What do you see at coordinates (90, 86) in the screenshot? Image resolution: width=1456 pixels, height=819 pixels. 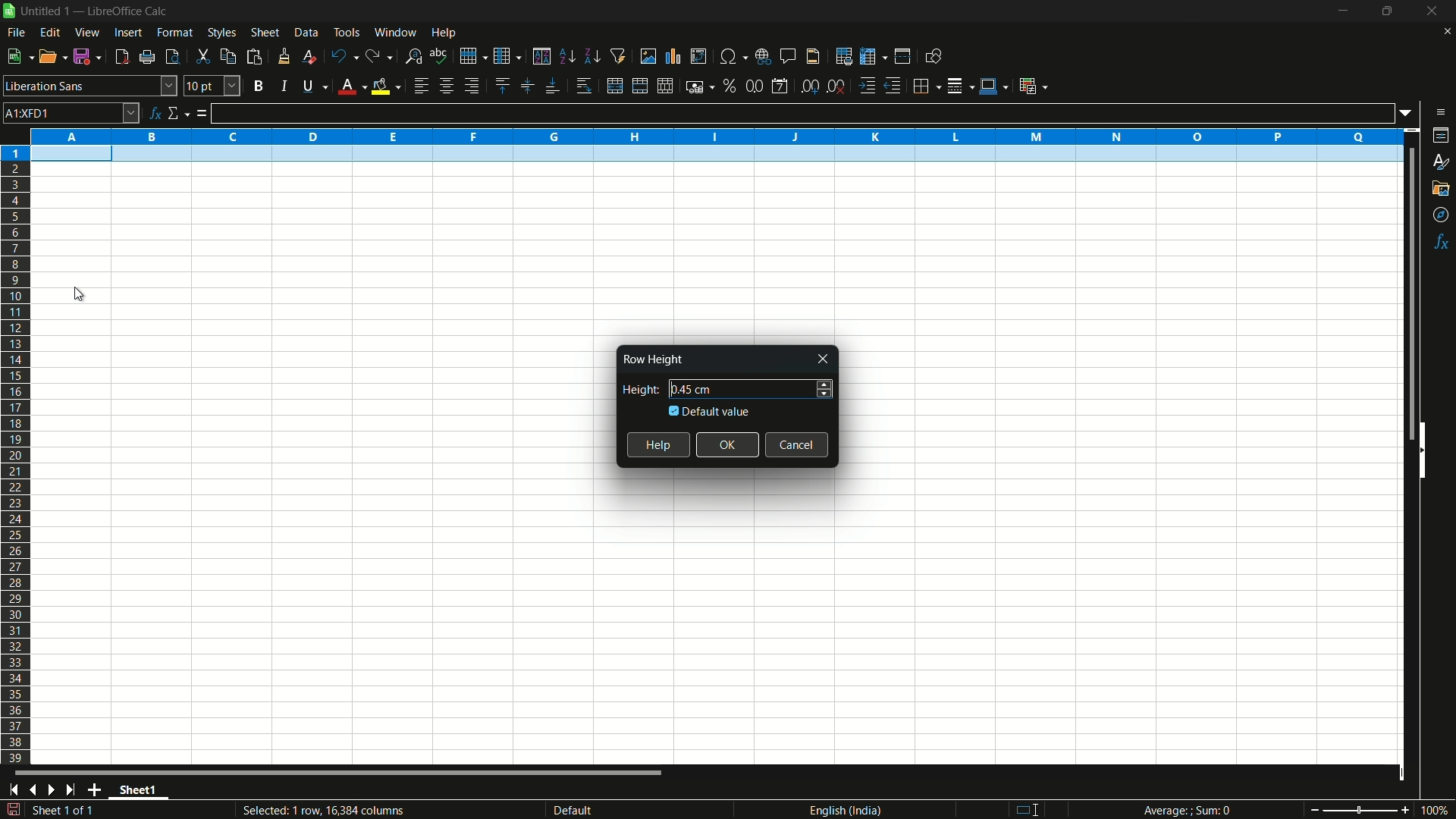 I see `font name` at bounding box center [90, 86].